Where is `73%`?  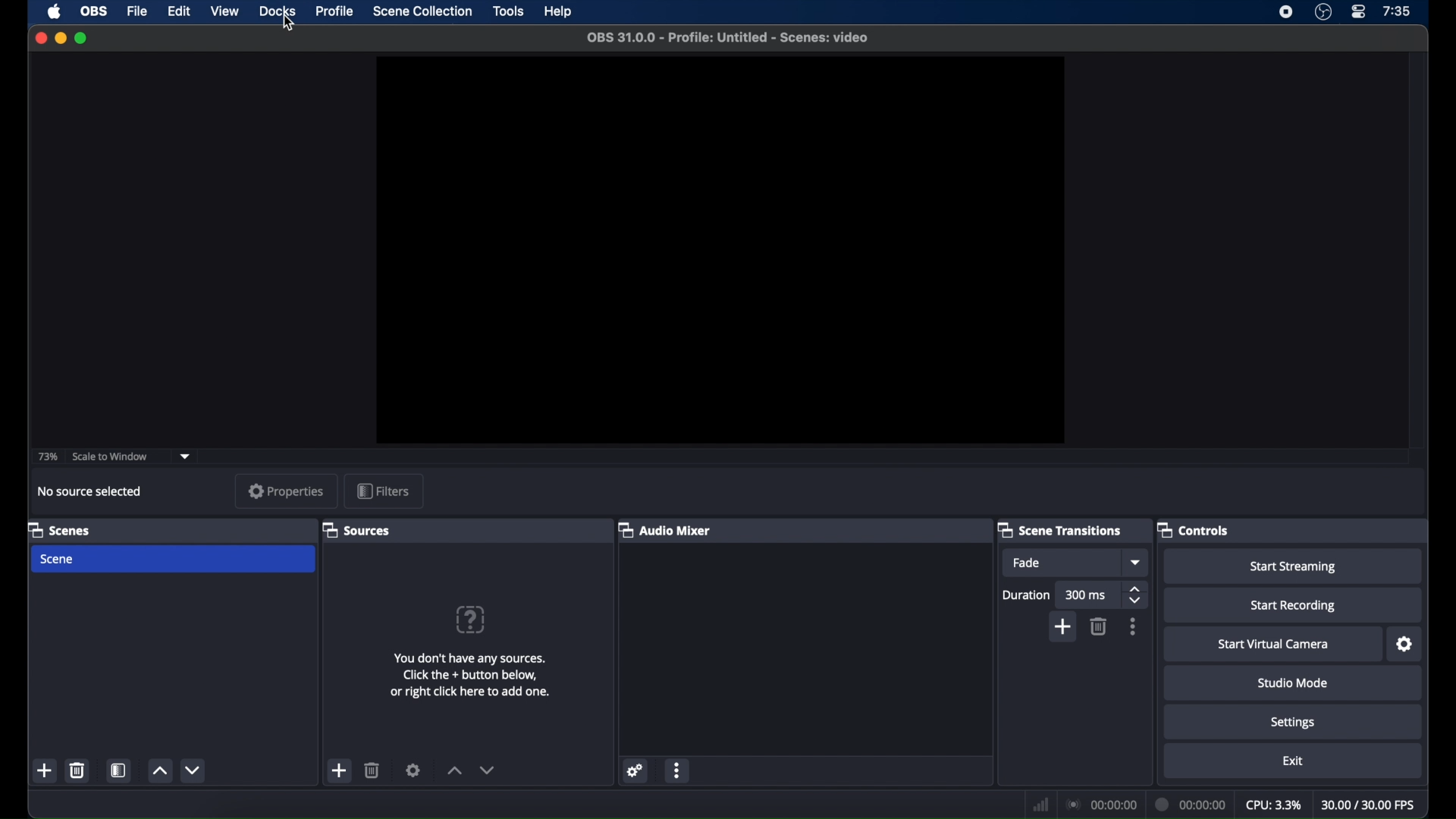 73% is located at coordinates (49, 457).